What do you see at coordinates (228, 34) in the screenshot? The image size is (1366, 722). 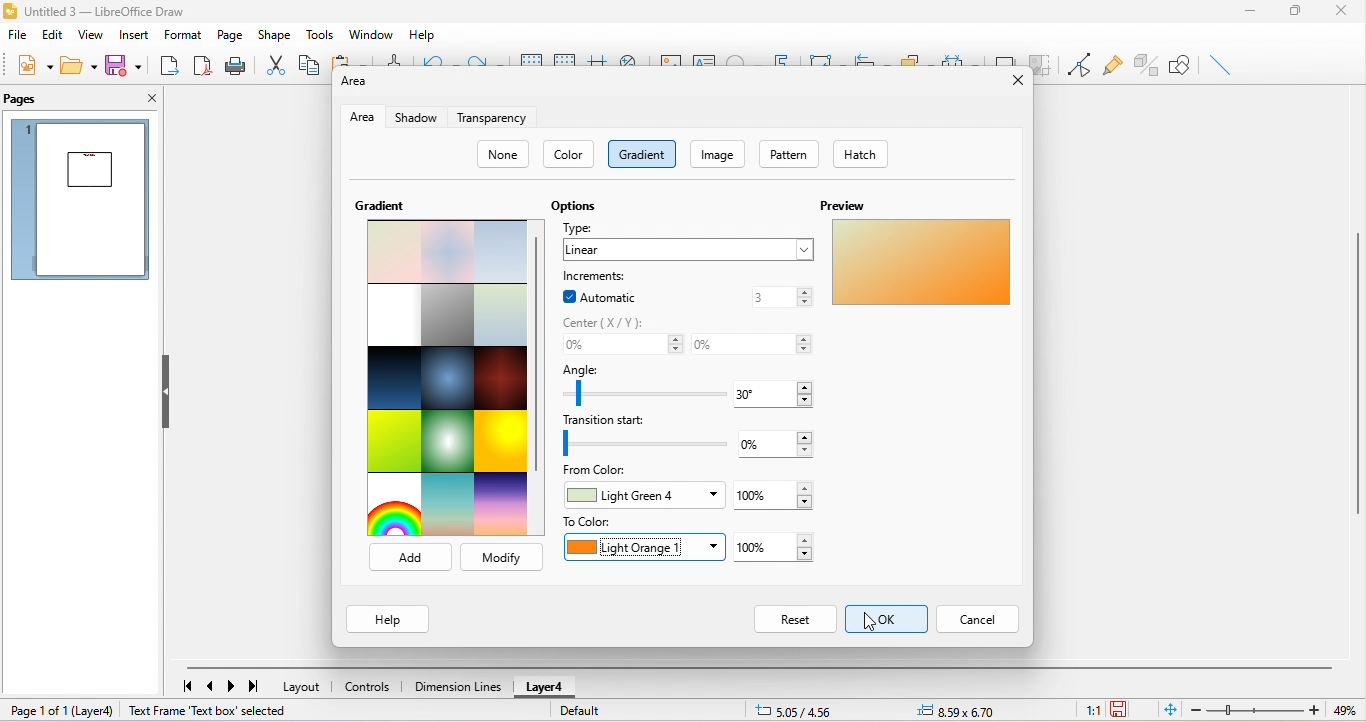 I see `page` at bounding box center [228, 34].